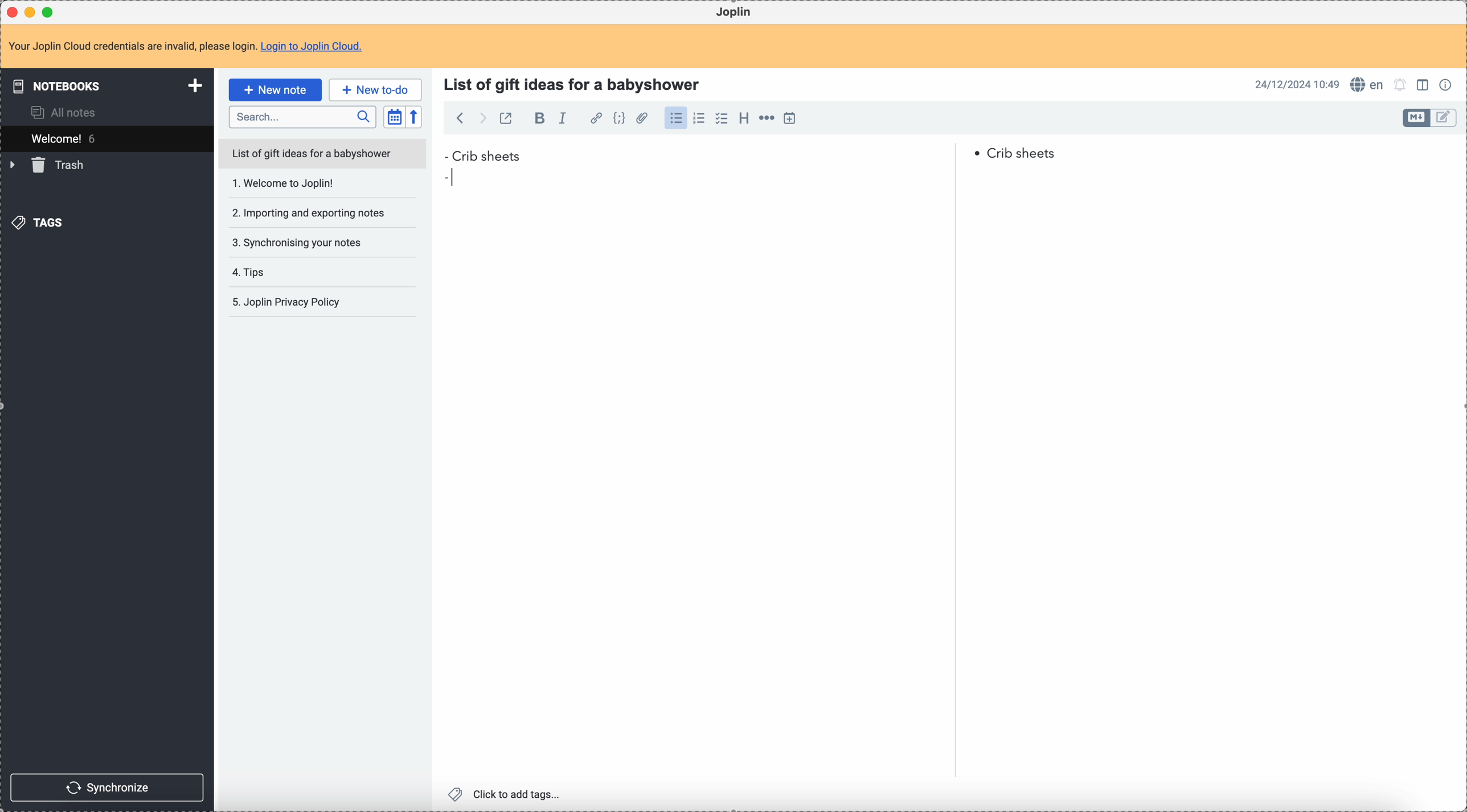 Image resolution: width=1467 pixels, height=812 pixels. What do you see at coordinates (702, 119) in the screenshot?
I see `numbered list` at bounding box center [702, 119].